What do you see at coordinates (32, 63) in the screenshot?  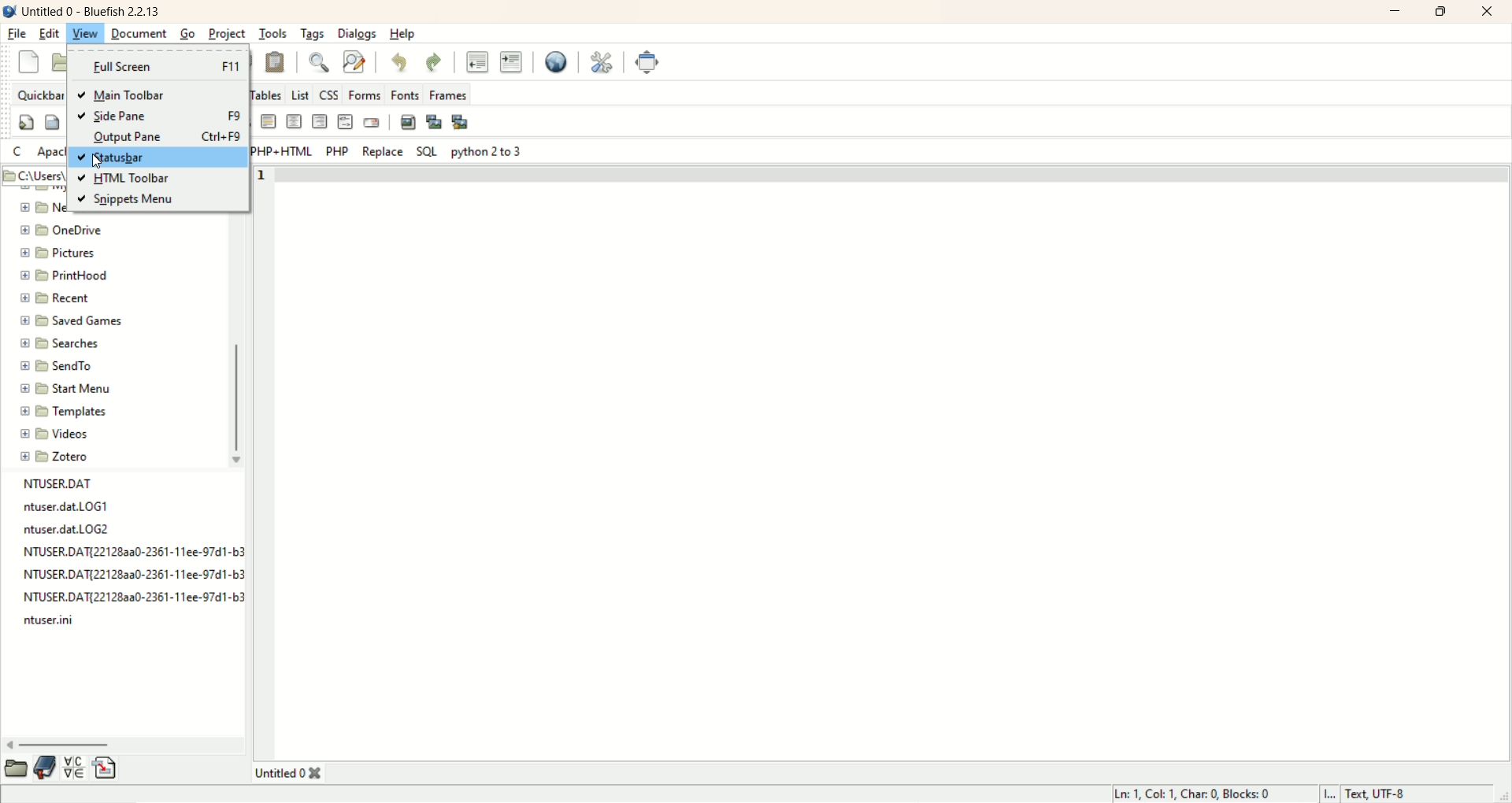 I see `new` at bounding box center [32, 63].